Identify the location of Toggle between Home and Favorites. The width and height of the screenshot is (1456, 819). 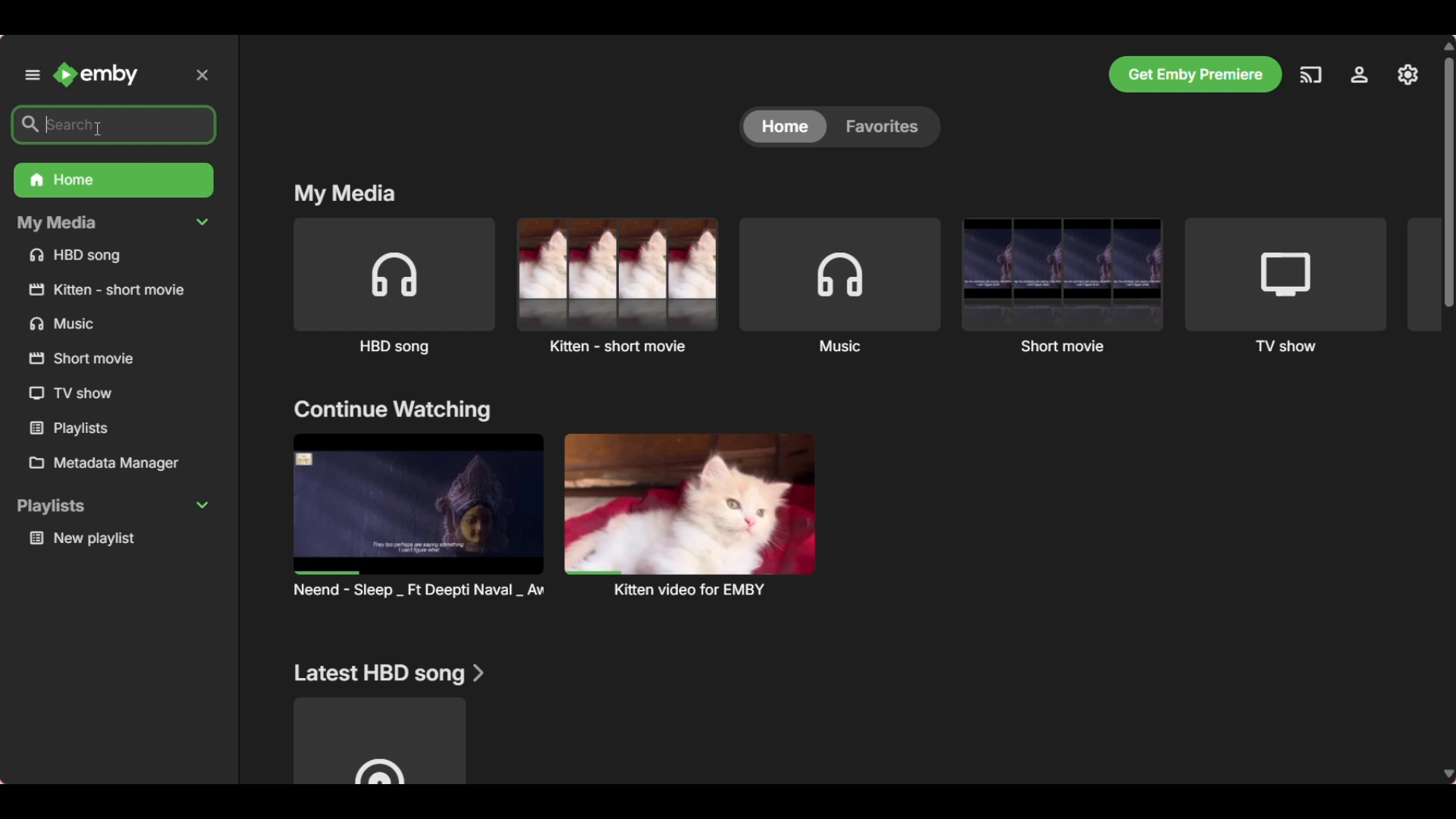
(839, 127).